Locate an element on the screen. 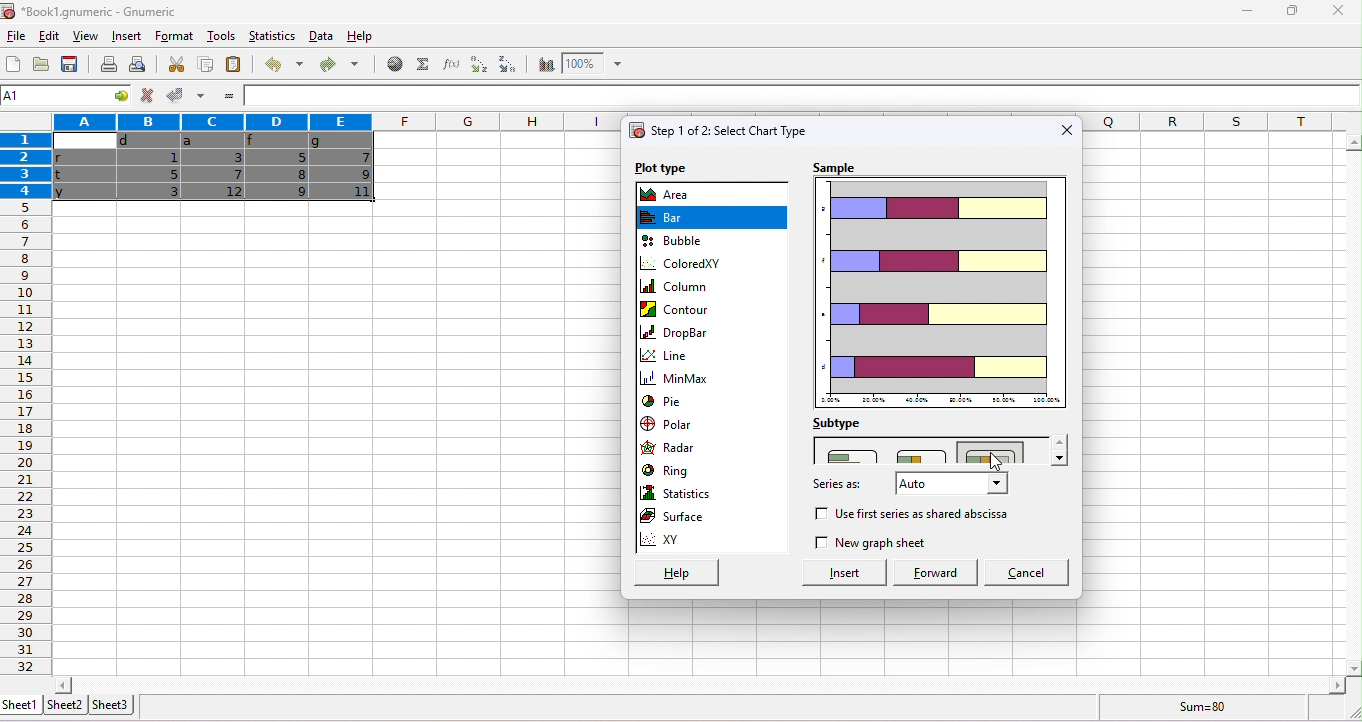 This screenshot has width=1362, height=722. chart is located at coordinates (545, 64).